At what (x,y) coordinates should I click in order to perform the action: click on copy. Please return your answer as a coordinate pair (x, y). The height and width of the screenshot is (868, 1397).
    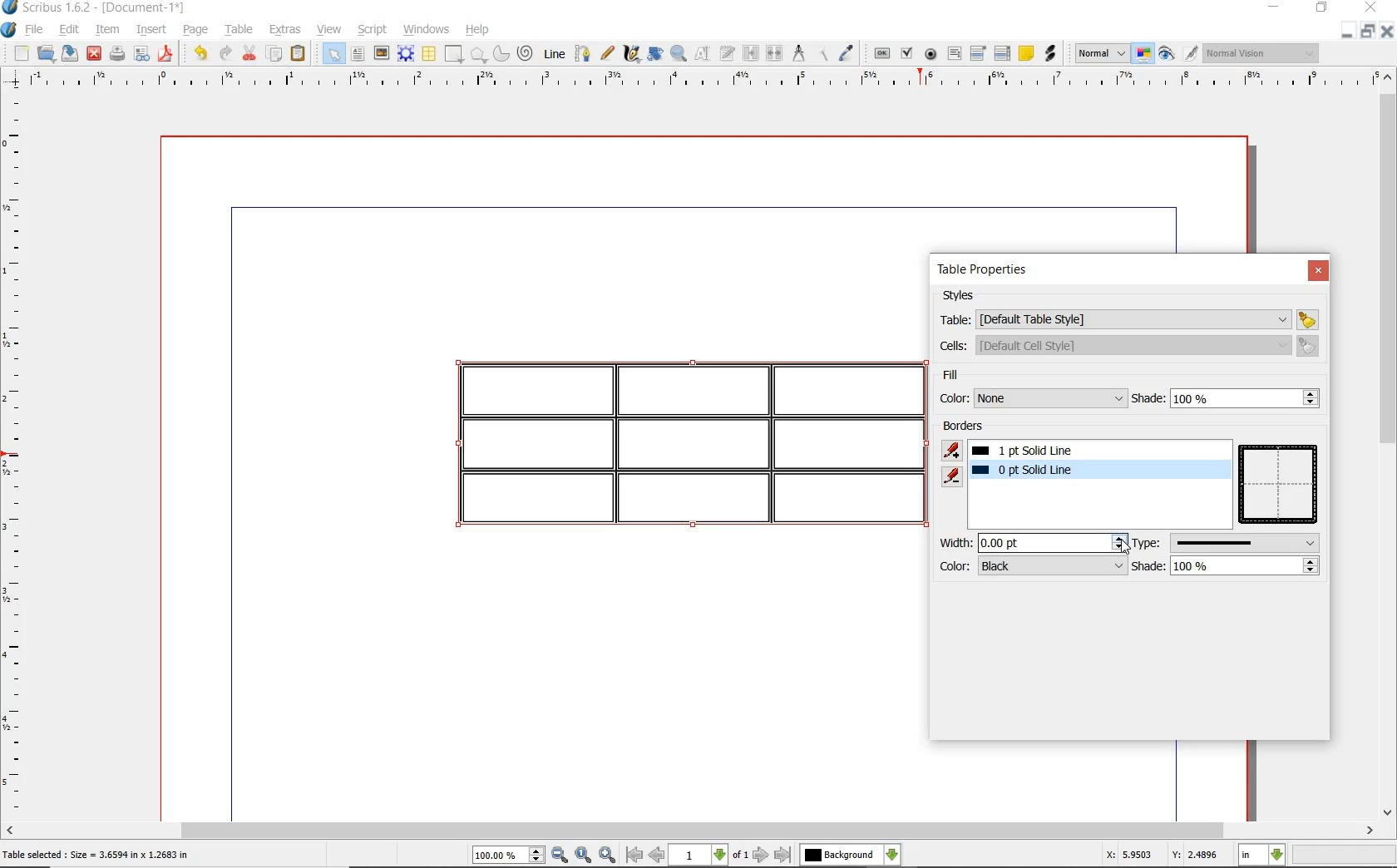
    Looking at the image, I should click on (274, 56).